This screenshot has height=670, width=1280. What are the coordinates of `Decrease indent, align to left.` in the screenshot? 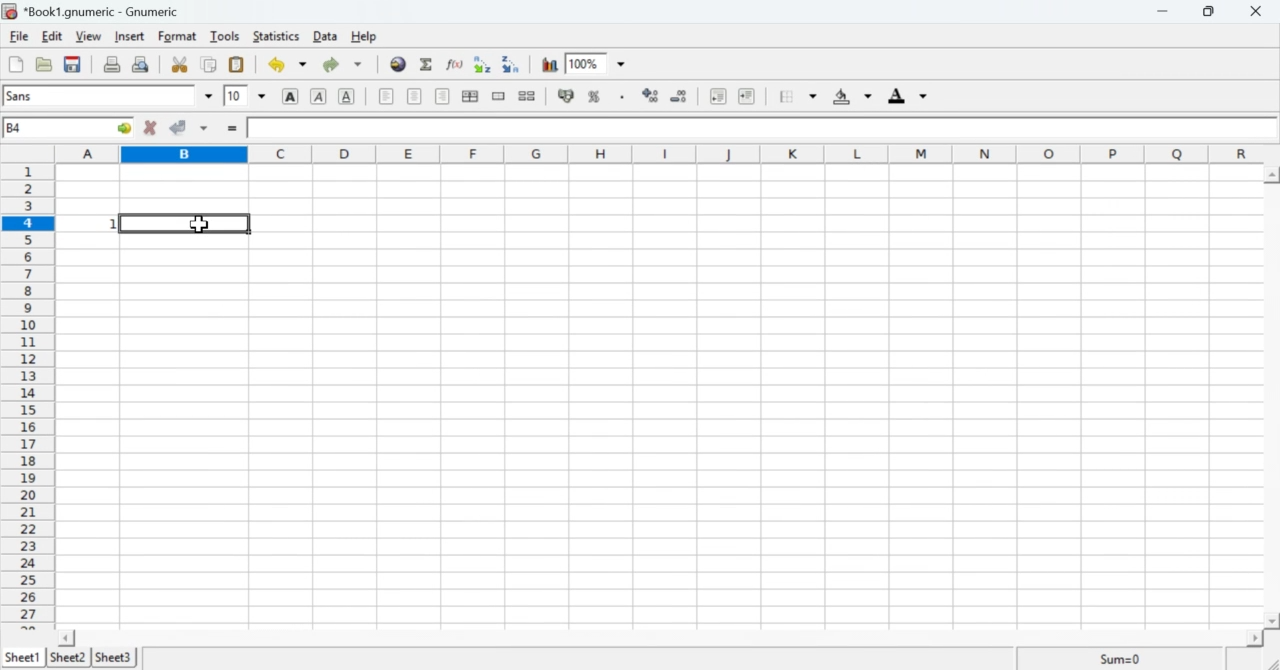 It's located at (719, 97).